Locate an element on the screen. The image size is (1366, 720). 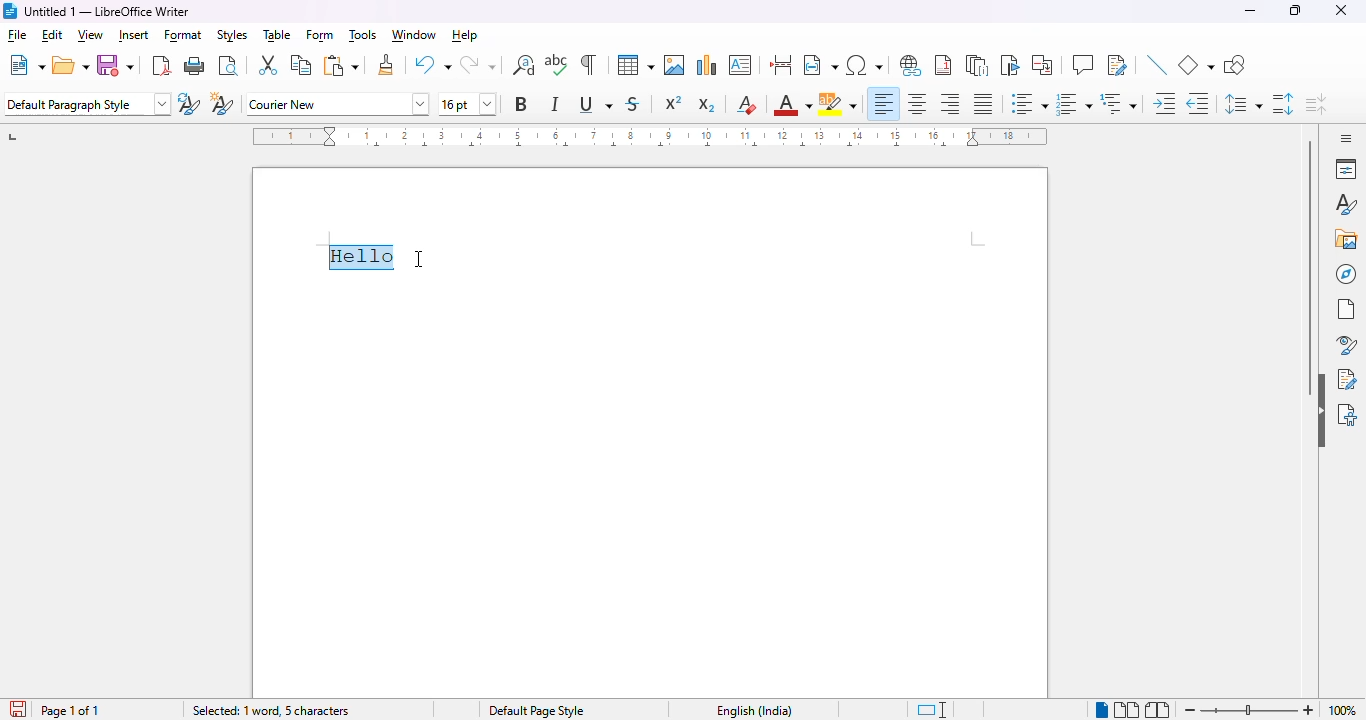
set paragraph style is located at coordinates (88, 104).